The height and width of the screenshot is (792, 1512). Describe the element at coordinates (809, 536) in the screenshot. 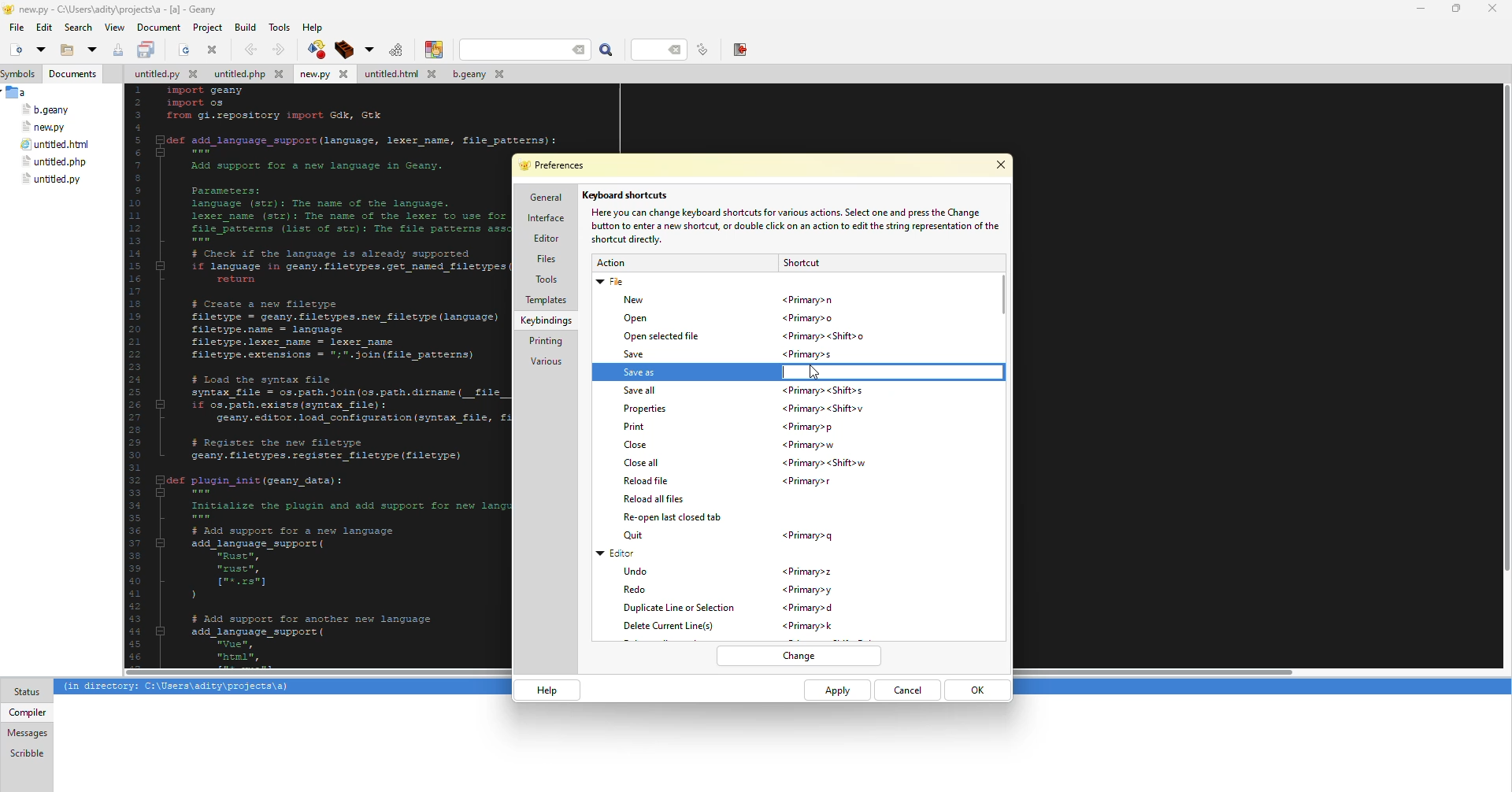

I see `shortcut` at that location.